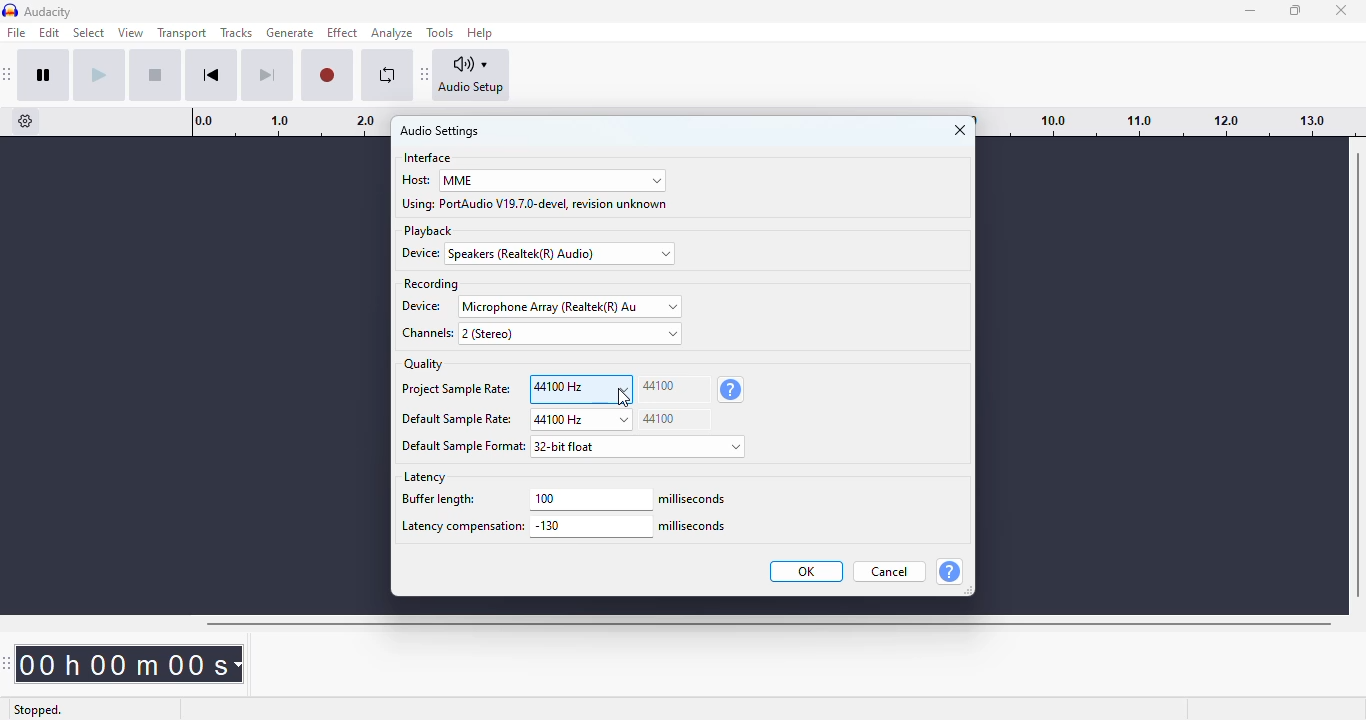 The height and width of the screenshot is (720, 1366). What do you see at coordinates (49, 32) in the screenshot?
I see `edit` at bounding box center [49, 32].